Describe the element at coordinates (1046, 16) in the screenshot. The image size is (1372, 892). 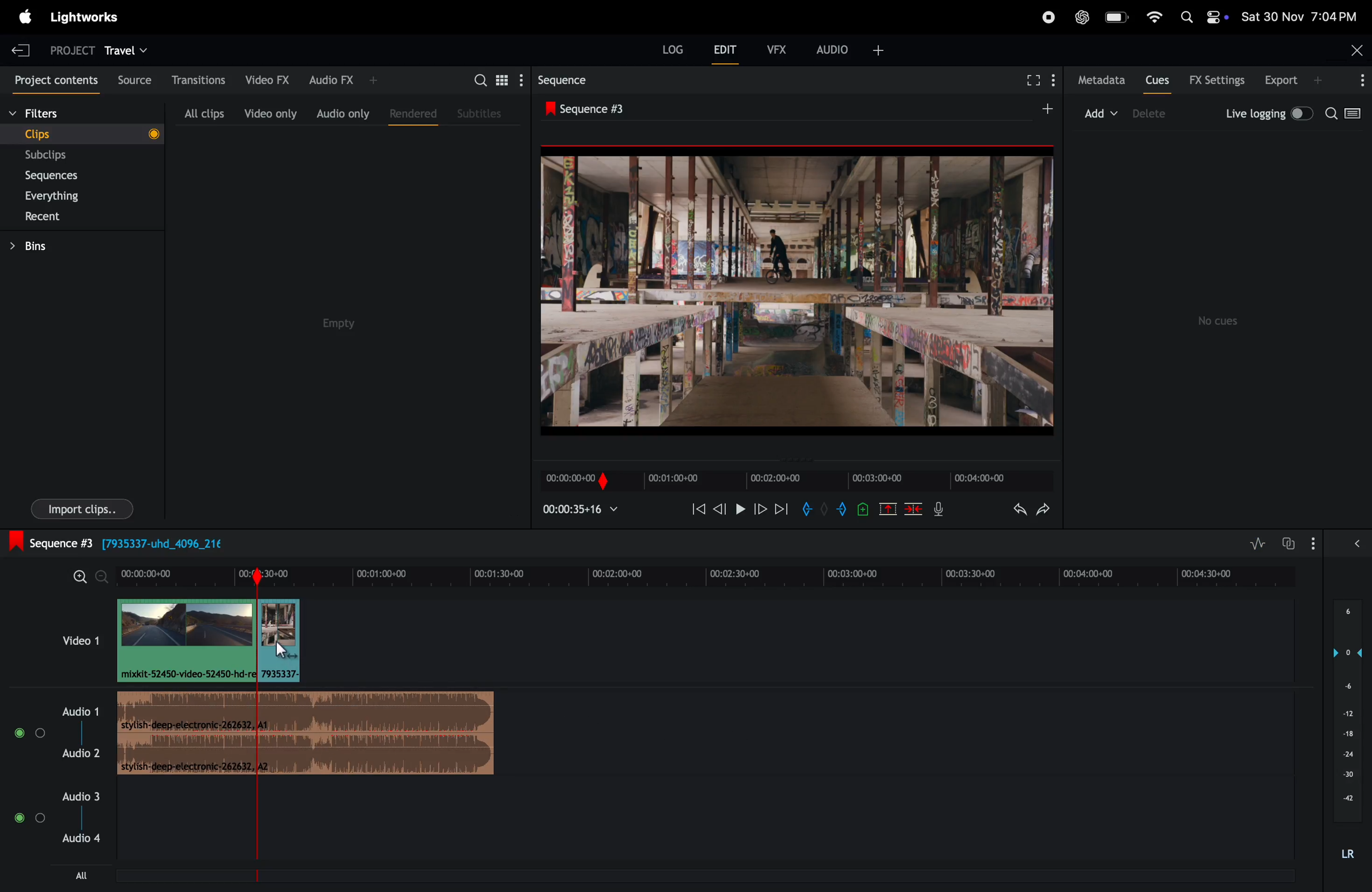
I see `record` at that location.